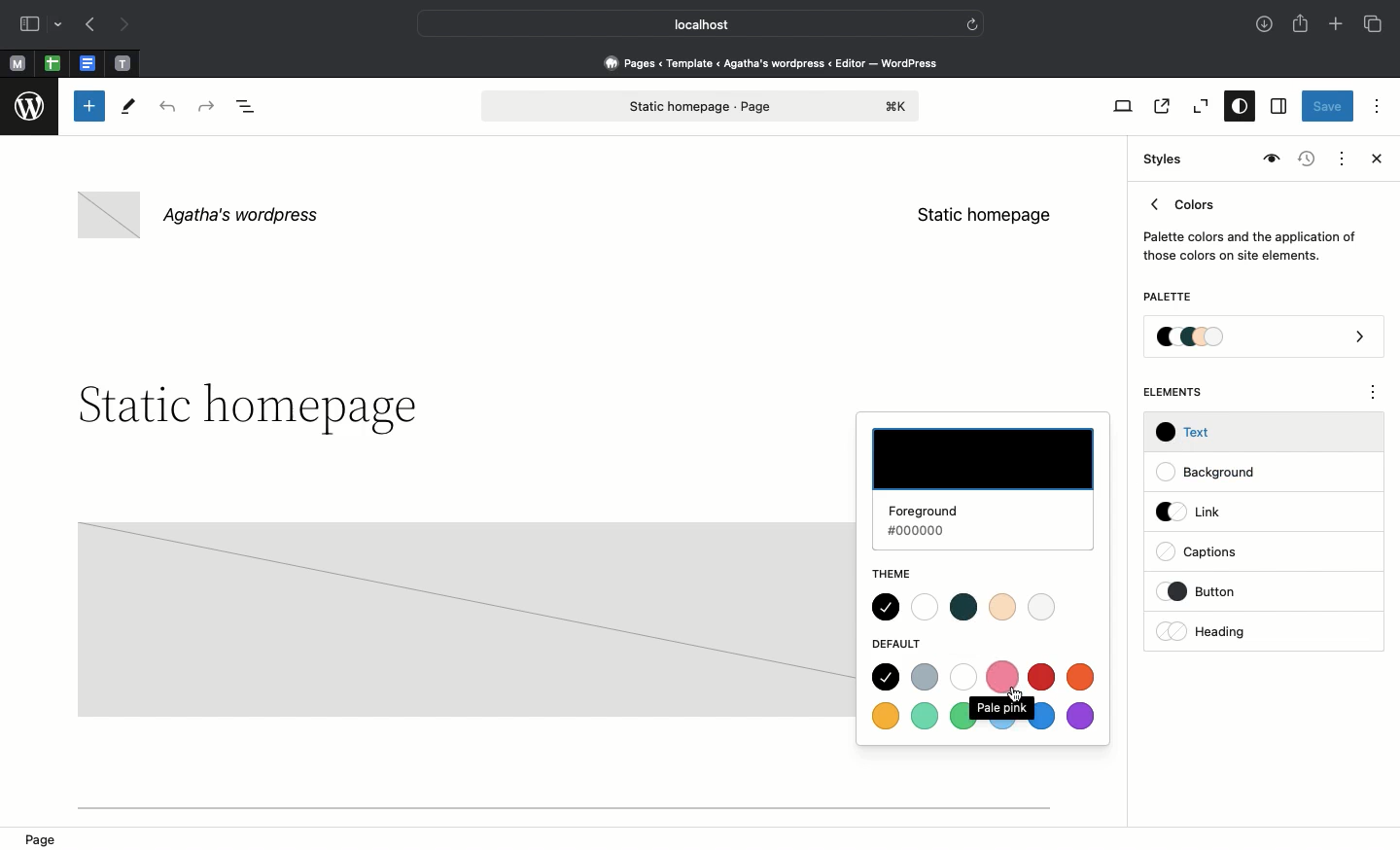 This screenshot has width=1400, height=850. Describe the element at coordinates (1266, 26) in the screenshot. I see `Downloads` at that location.